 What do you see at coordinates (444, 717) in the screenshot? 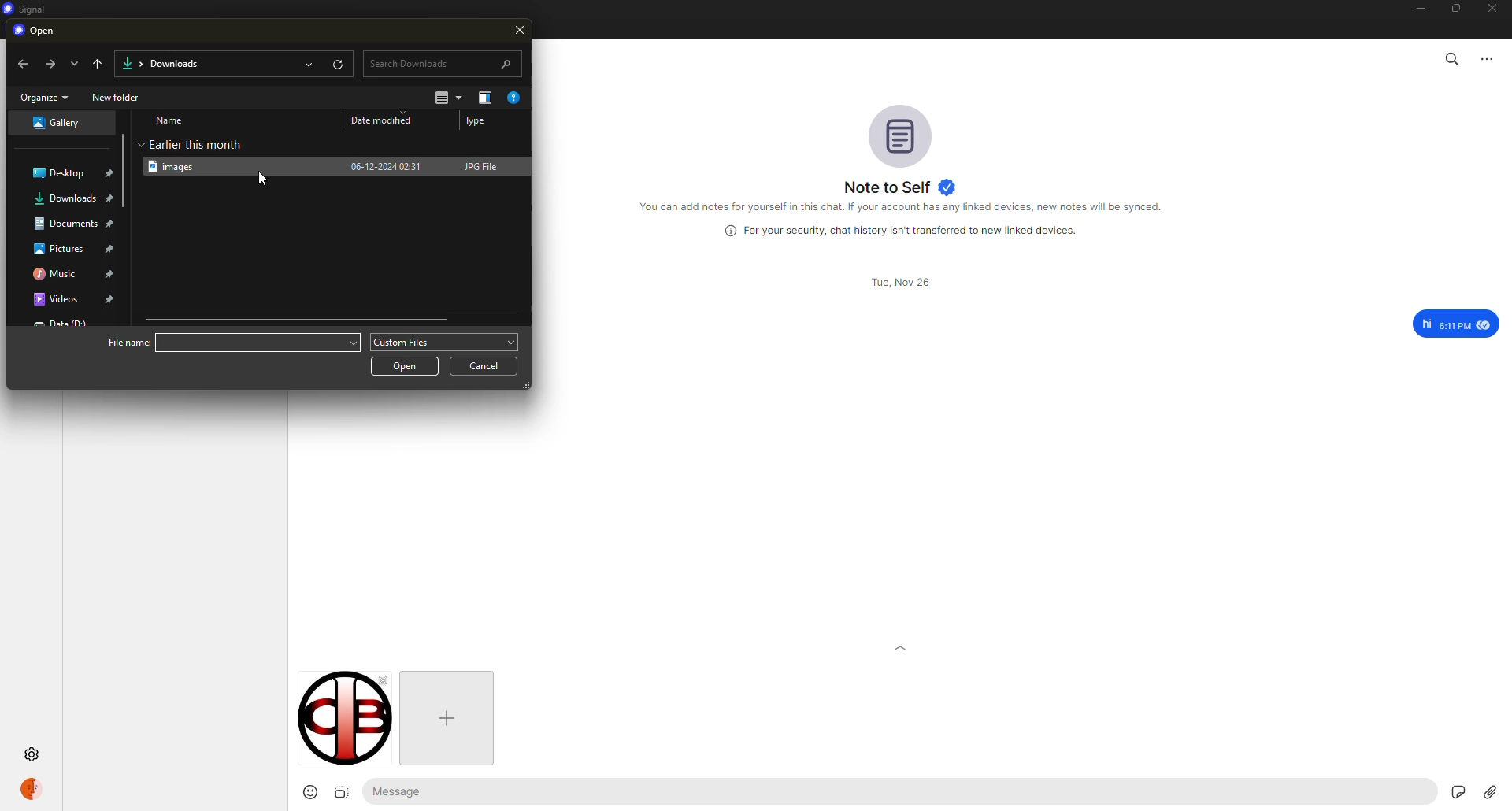
I see `add` at bounding box center [444, 717].